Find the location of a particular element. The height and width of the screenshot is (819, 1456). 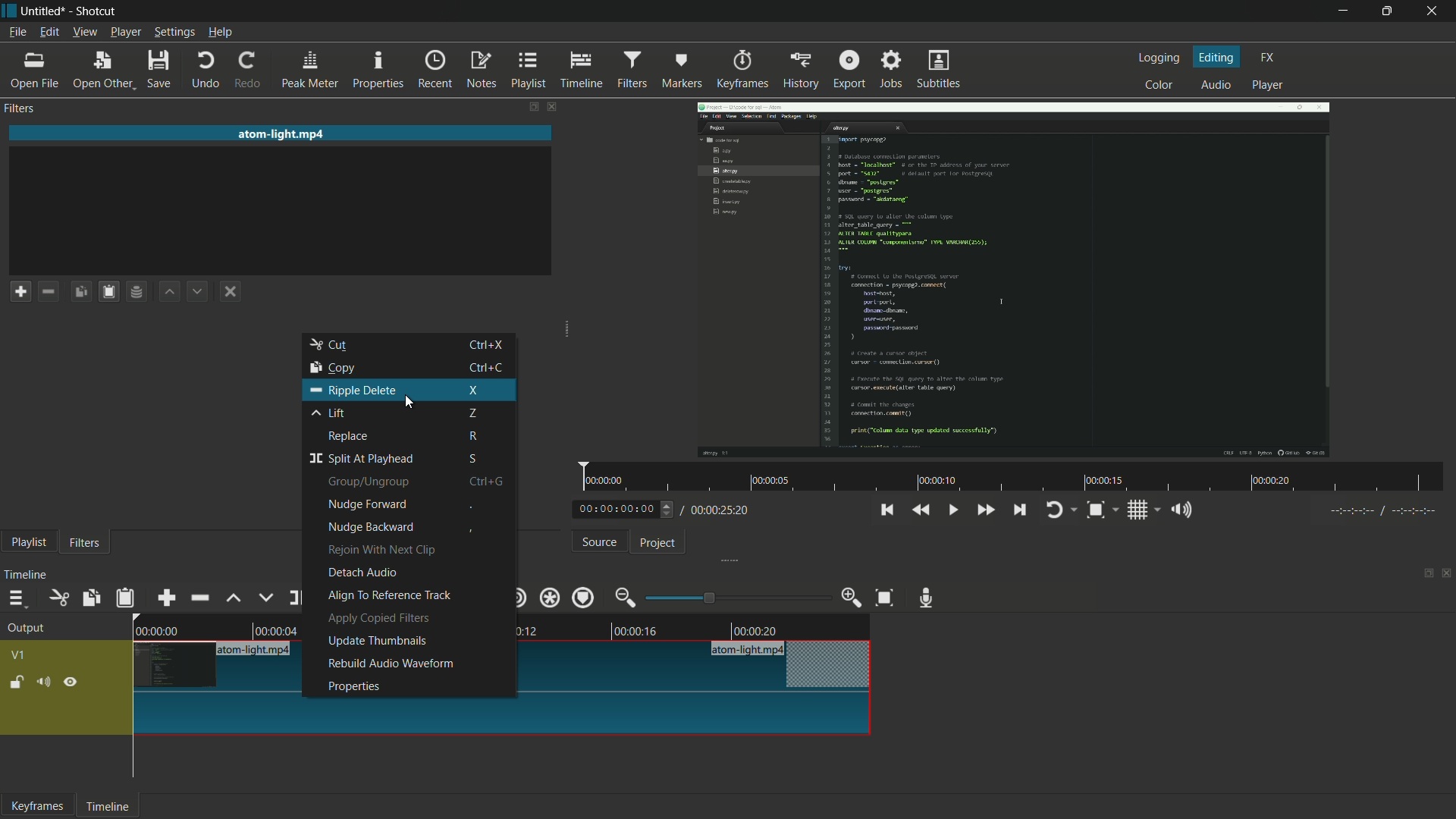

group/ungroup is located at coordinates (410, 482).